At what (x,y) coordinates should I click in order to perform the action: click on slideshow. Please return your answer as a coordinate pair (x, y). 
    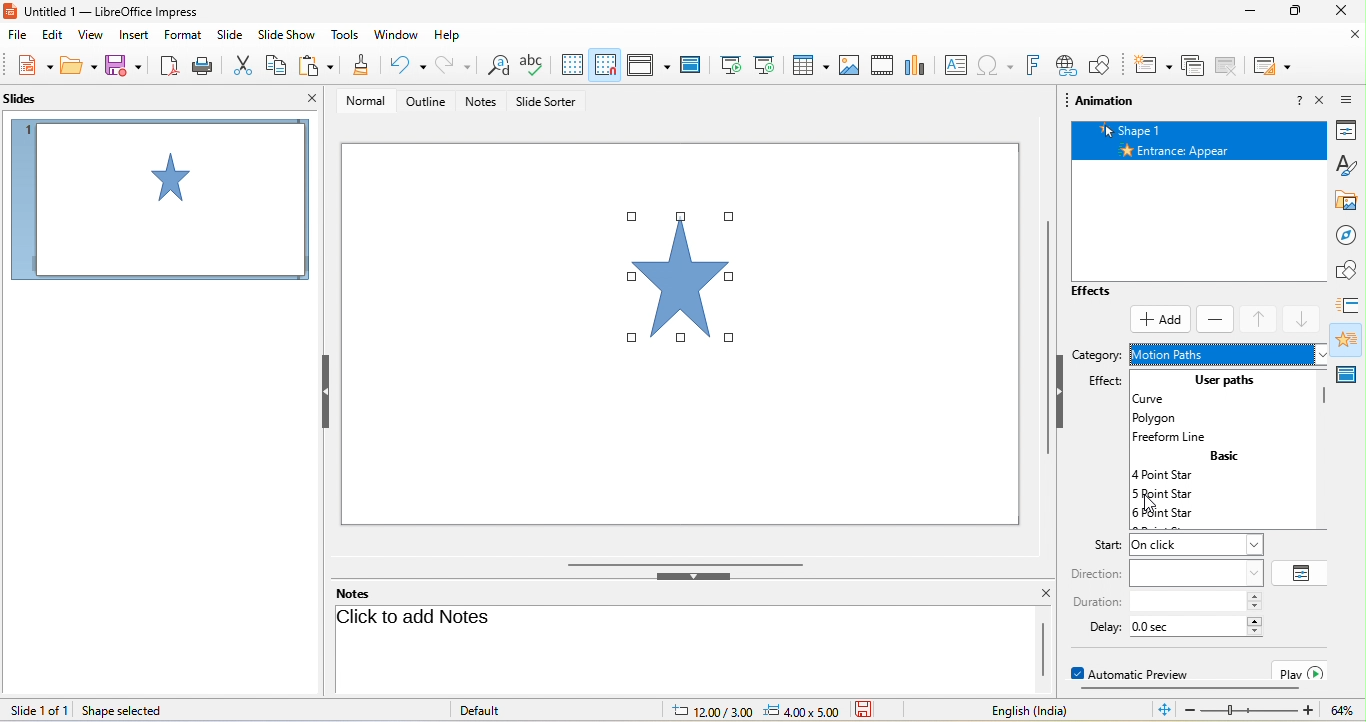
    Looking at the image, I should click on (286, 36).